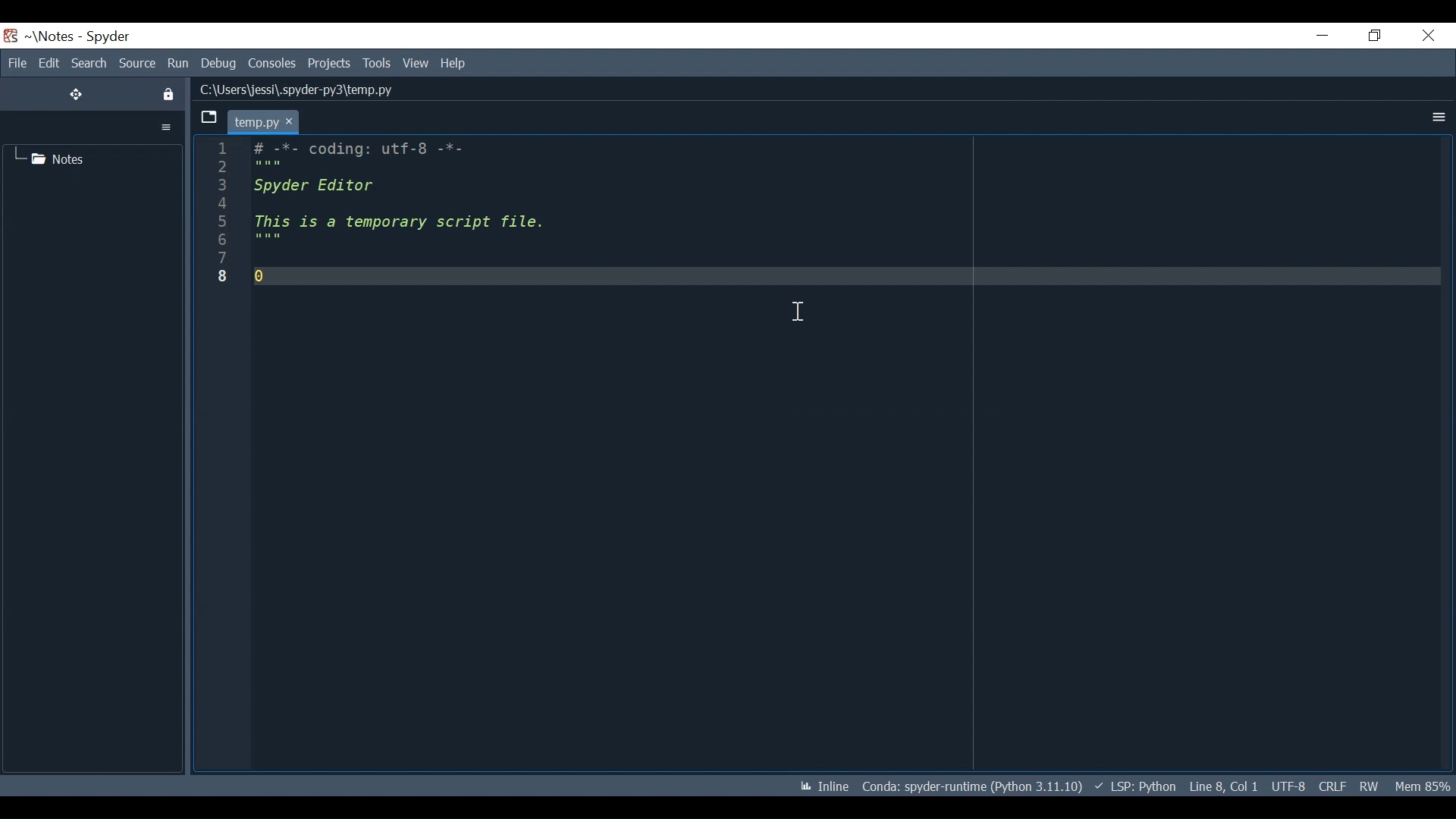 This screenshot has width=1456, height=819. Describe the element at coordinates (1373, 36) in the screenshot. I see `Restore` at that location.